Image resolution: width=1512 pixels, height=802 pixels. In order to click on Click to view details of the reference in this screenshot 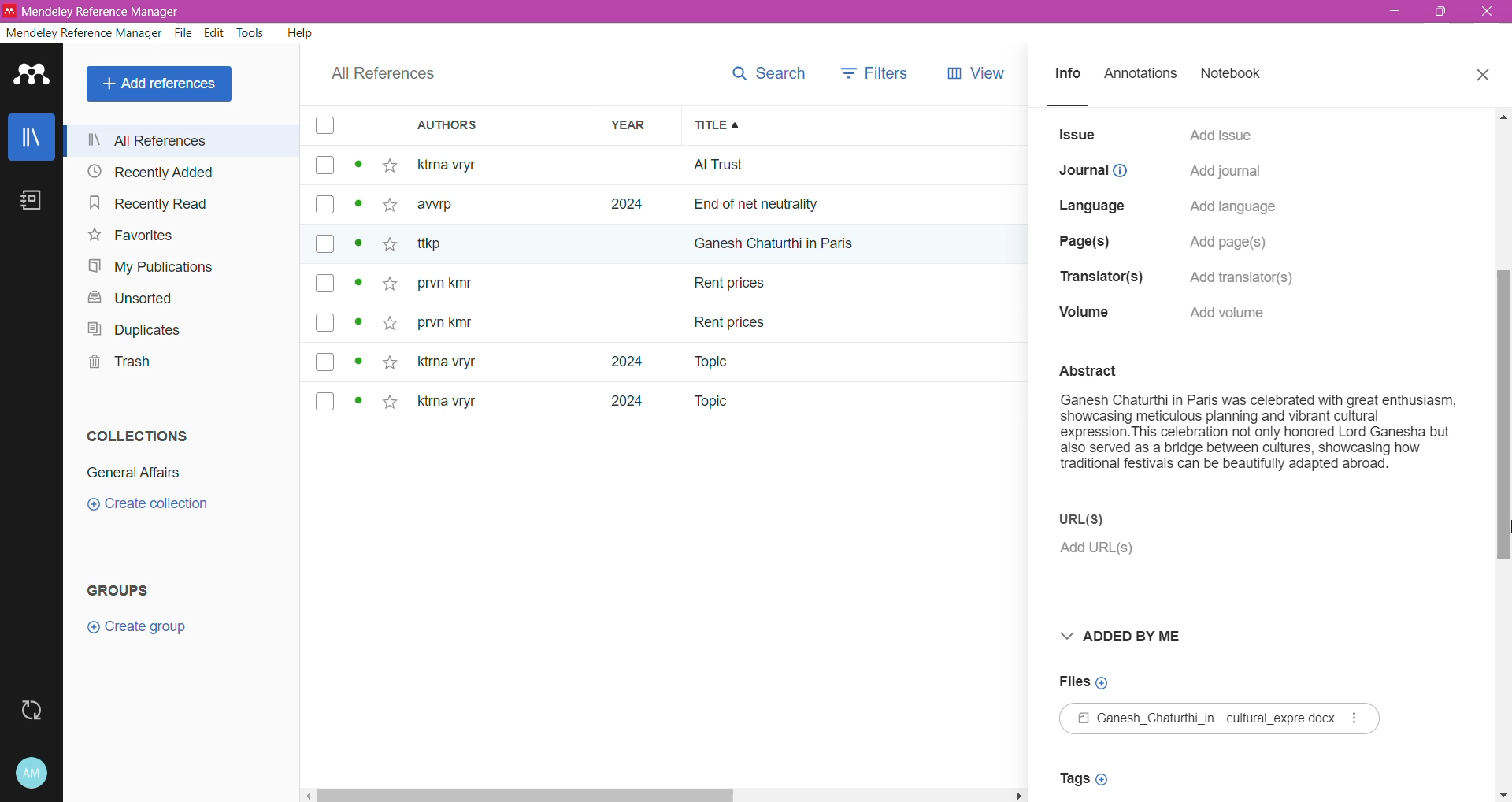, I will do `click(361, 285)`.